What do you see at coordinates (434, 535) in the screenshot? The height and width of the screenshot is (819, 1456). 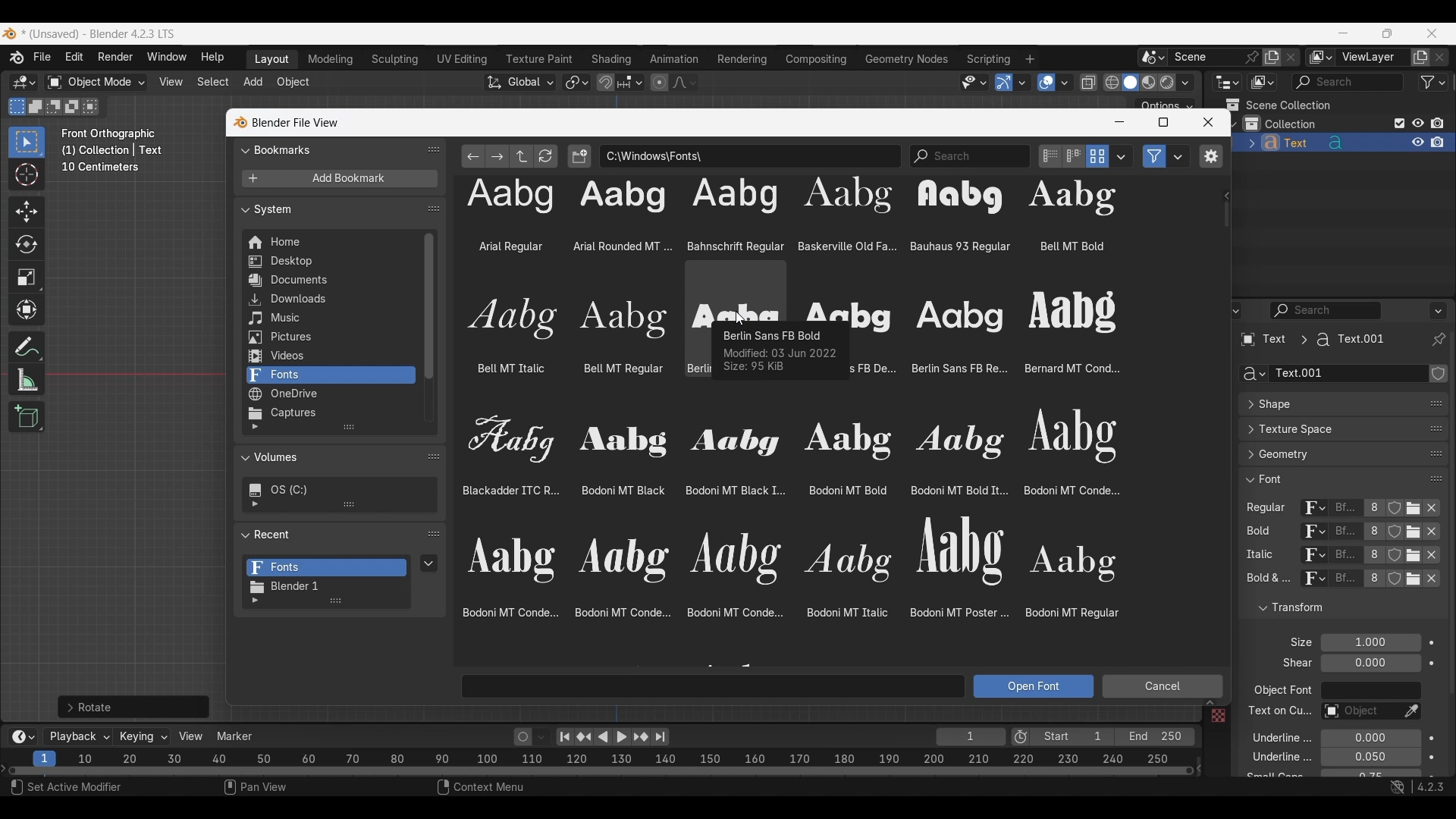 I see `Change order in list` at bounding box center [434, 535].